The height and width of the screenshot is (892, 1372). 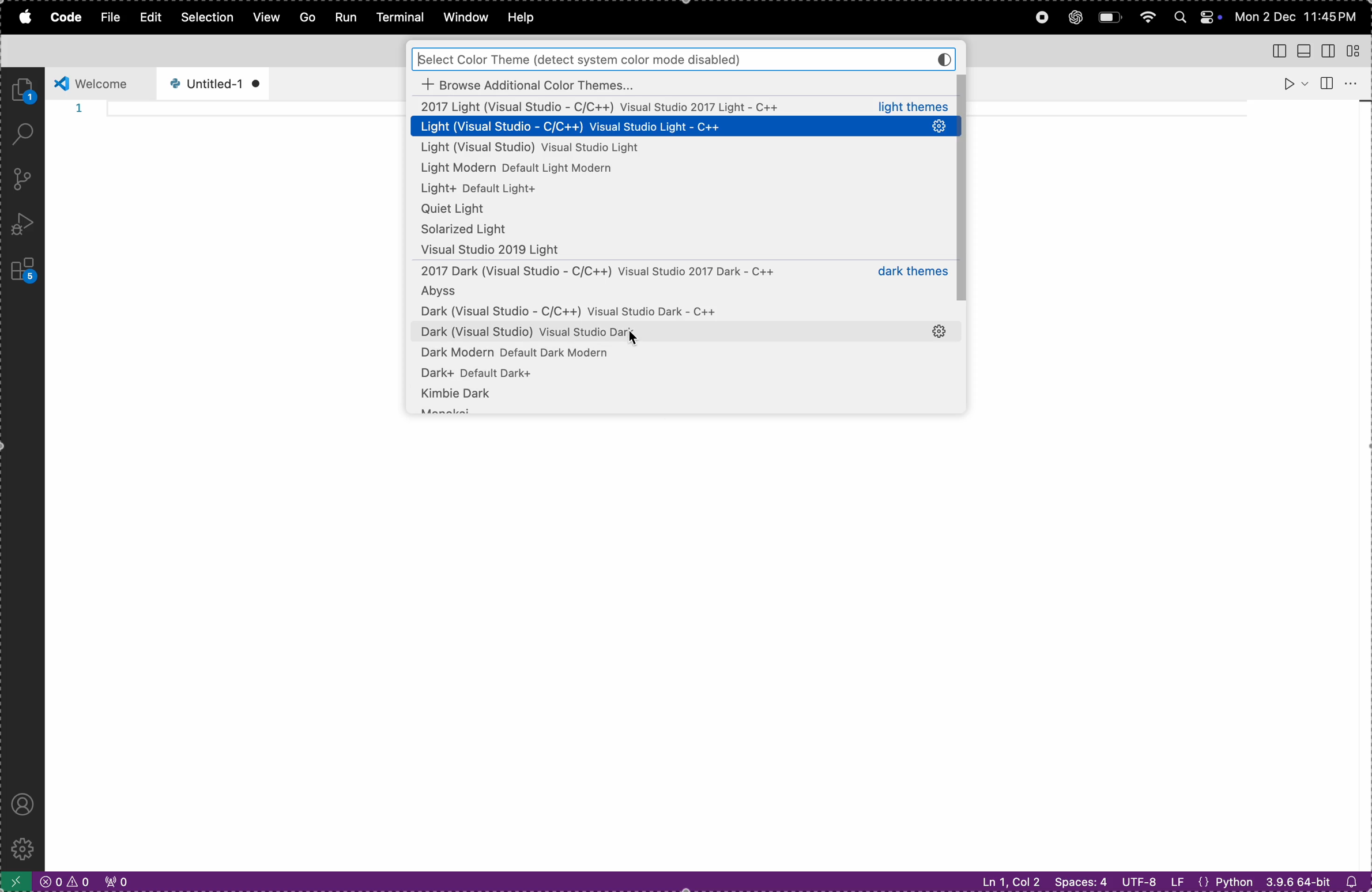 I want to click on run, so click(x=344, y=18).